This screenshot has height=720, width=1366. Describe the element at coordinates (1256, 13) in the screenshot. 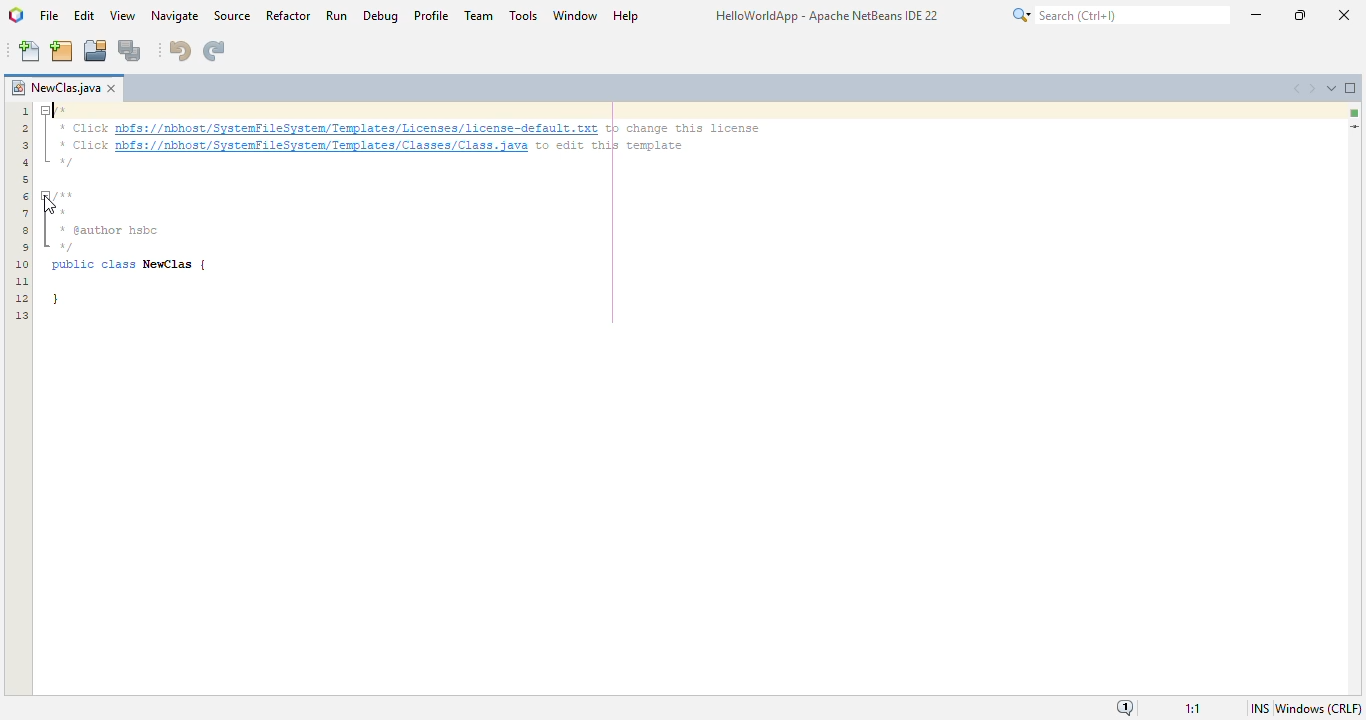

I see `minimize` at that location.